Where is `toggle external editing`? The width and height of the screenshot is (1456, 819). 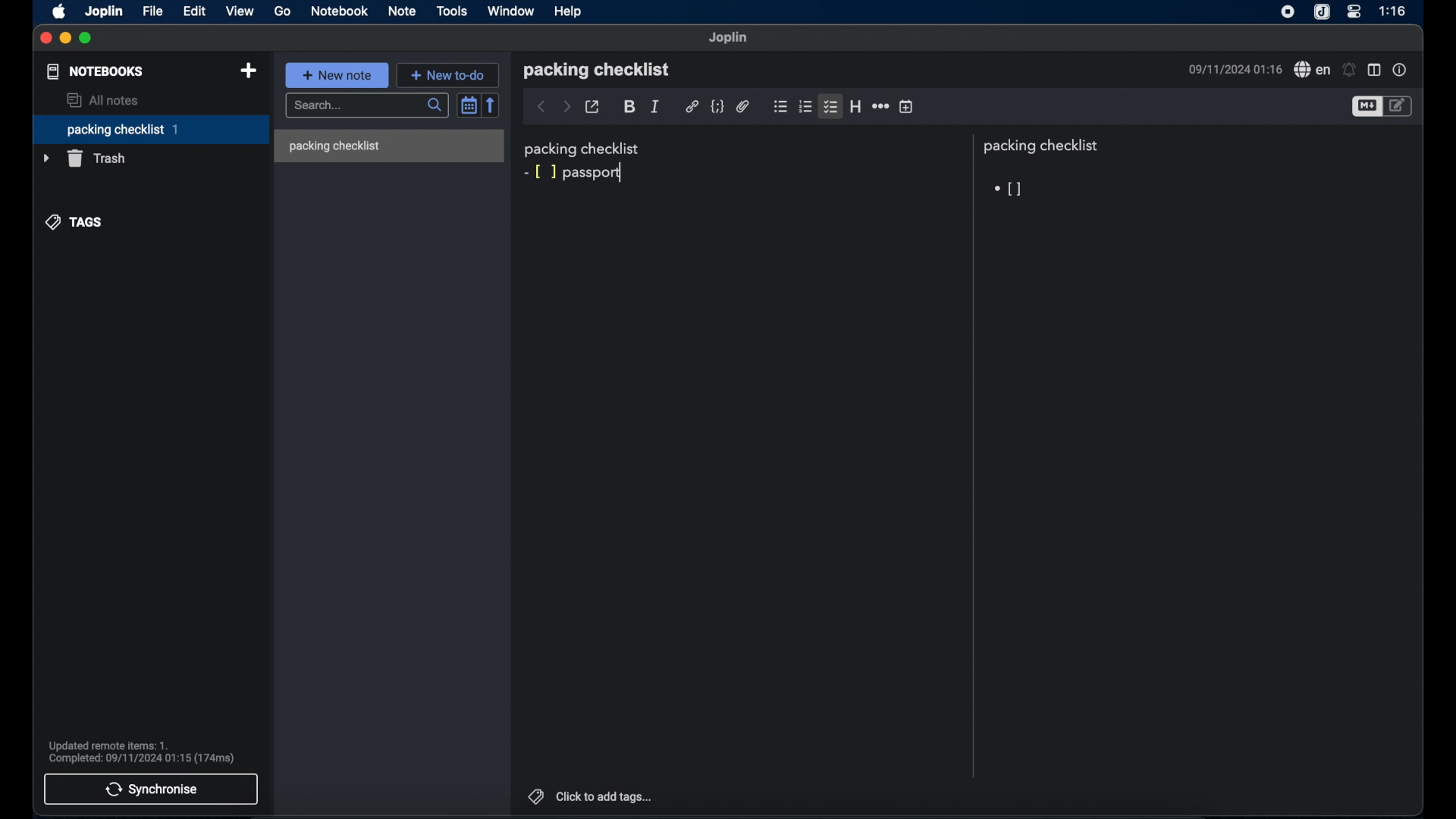 toggle external editing is located at coordinates (593, 107).